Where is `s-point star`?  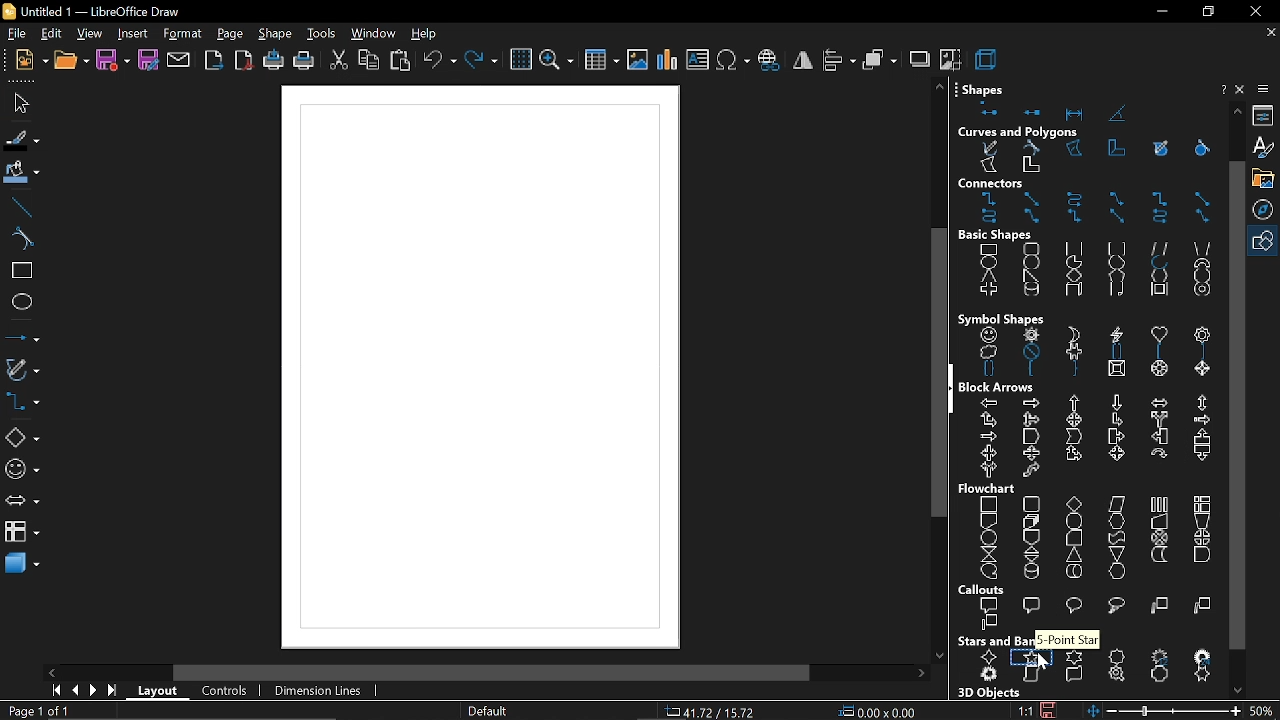
s-point star is located at coordinates (1067, 639).